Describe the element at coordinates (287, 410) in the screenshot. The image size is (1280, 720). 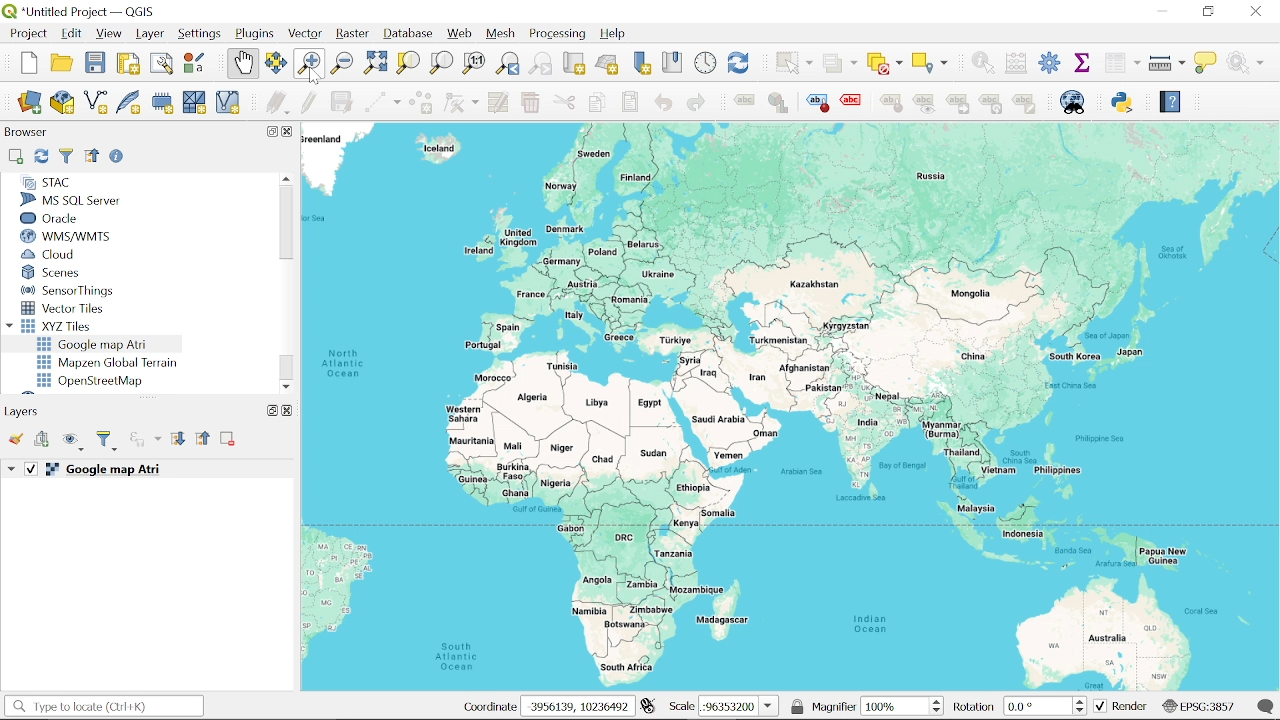
I see `Close` at that location.